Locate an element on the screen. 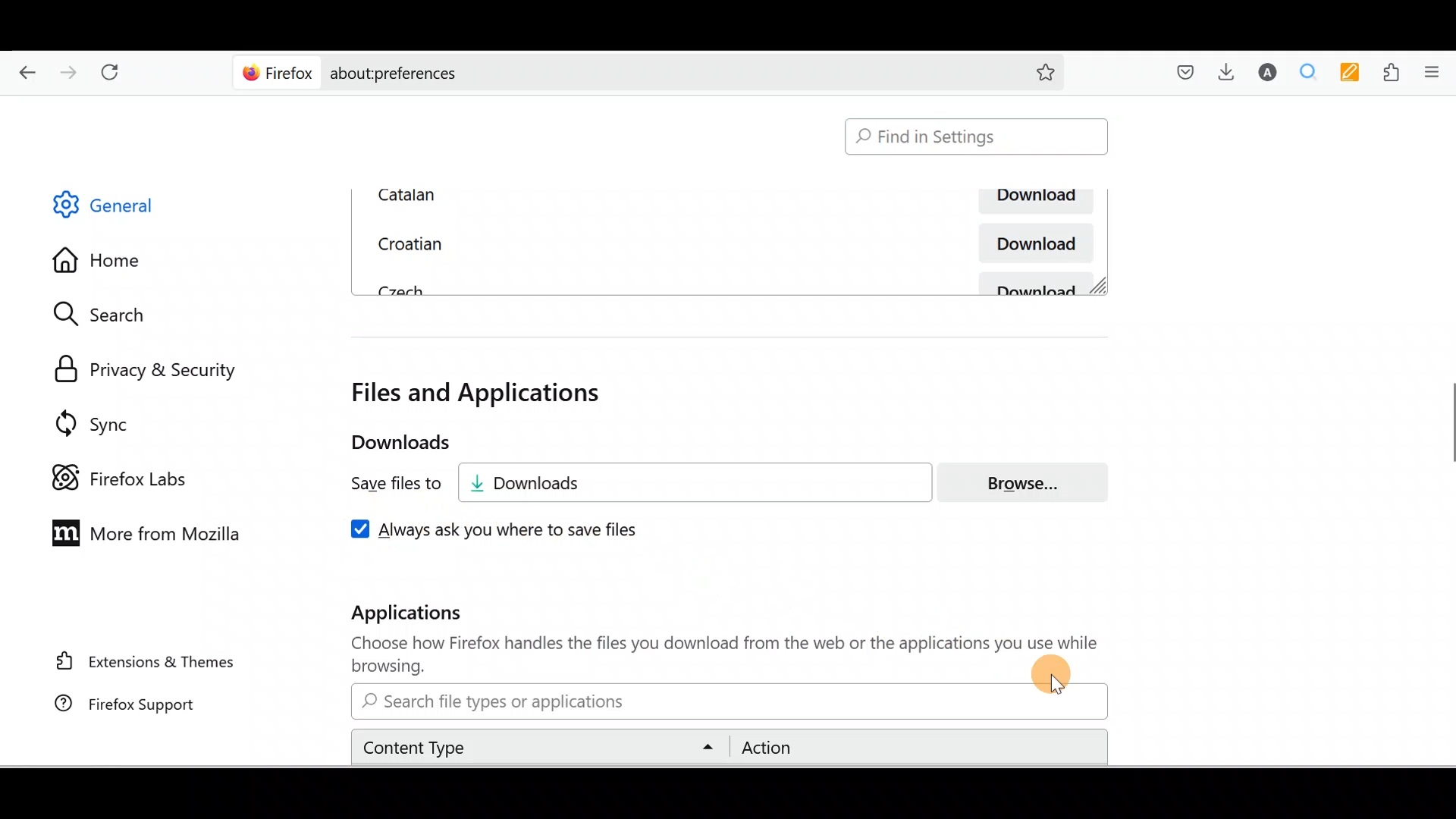 Image resolution: width=1456 pixels, height=819 pixels. Extensions is located at coordinates (1394, 71).